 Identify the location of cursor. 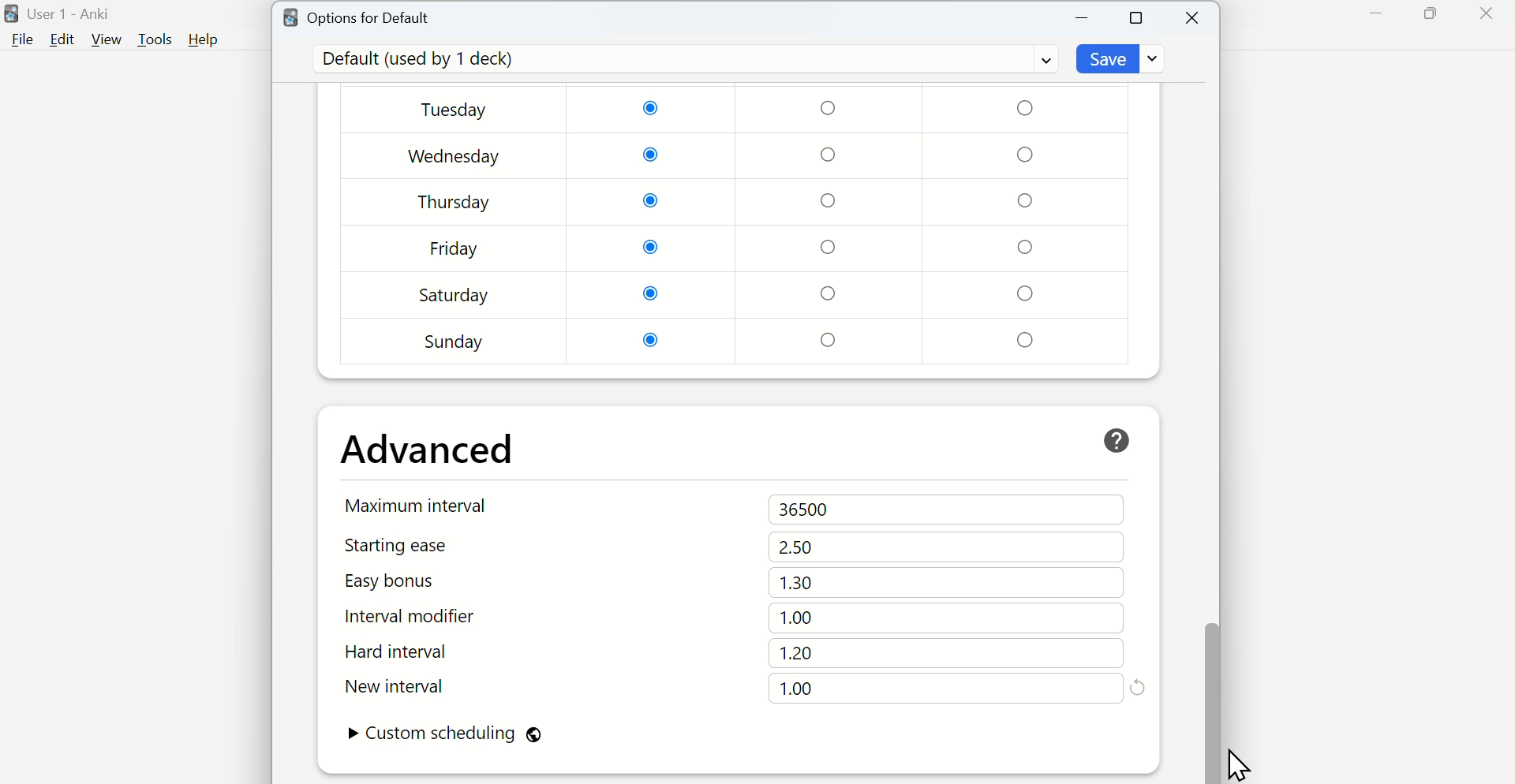
(1238, 760).